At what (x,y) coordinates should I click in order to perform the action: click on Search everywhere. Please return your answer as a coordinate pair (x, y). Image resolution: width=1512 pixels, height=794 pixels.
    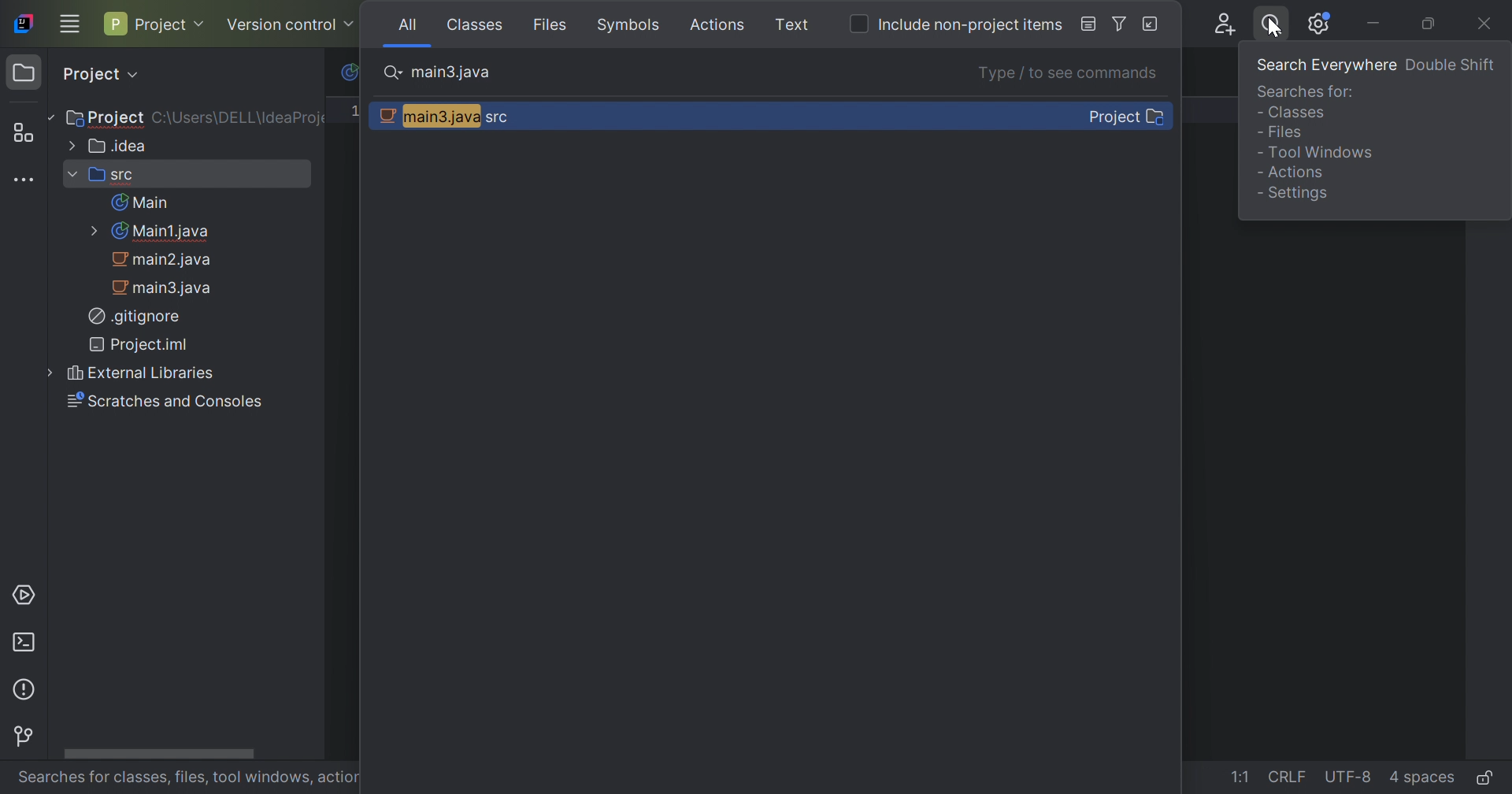
    Looking at the image, I should click on (1325, 70).